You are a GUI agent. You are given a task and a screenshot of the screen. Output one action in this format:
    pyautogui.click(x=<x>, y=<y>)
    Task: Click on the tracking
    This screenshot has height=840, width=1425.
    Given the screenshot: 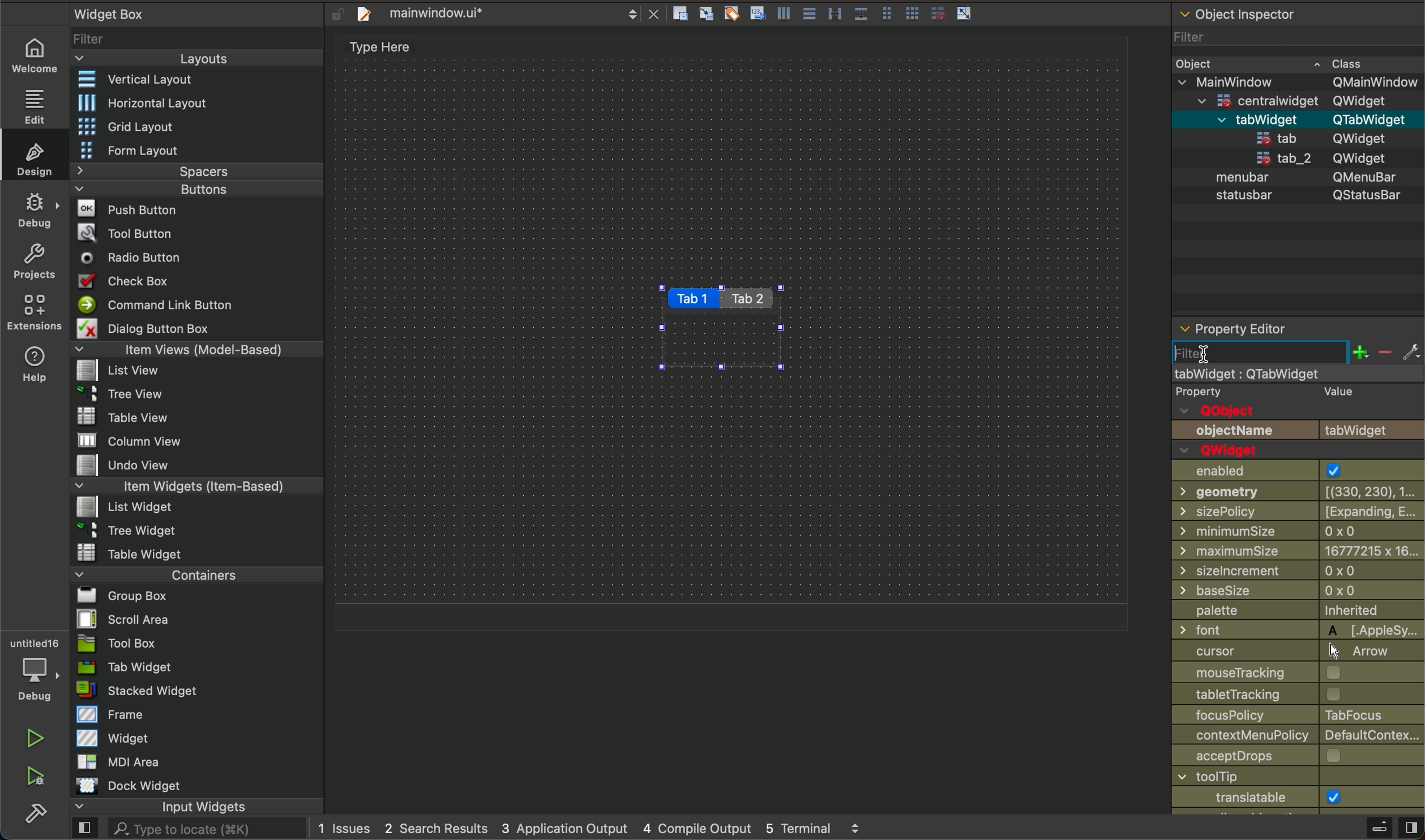 What is the action you would take?
    pyautogui.click(x=1296, y=694)
    